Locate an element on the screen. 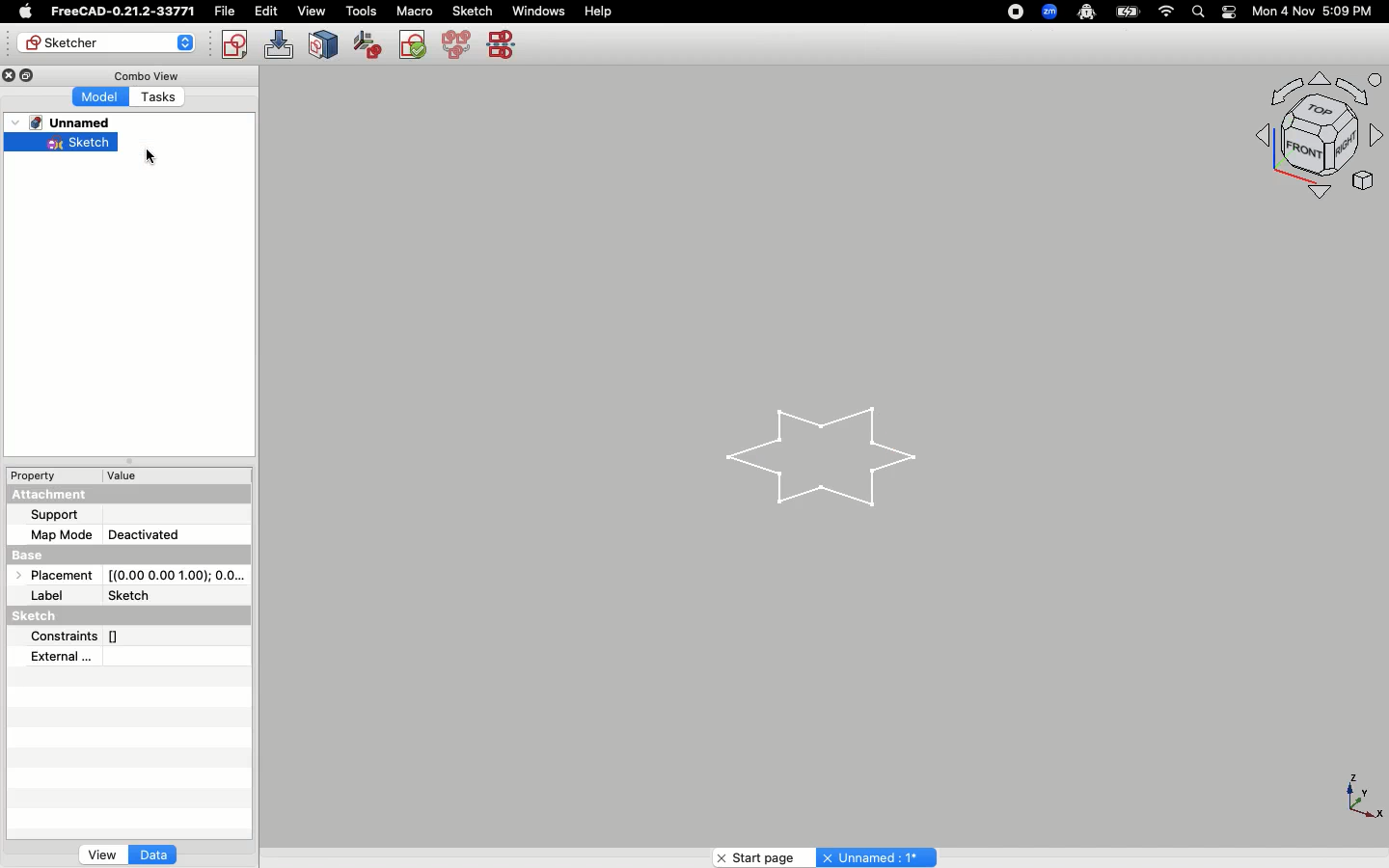 The height and width of the screenshot is (868, 1389). Search is located at coordinates (1197, 11).